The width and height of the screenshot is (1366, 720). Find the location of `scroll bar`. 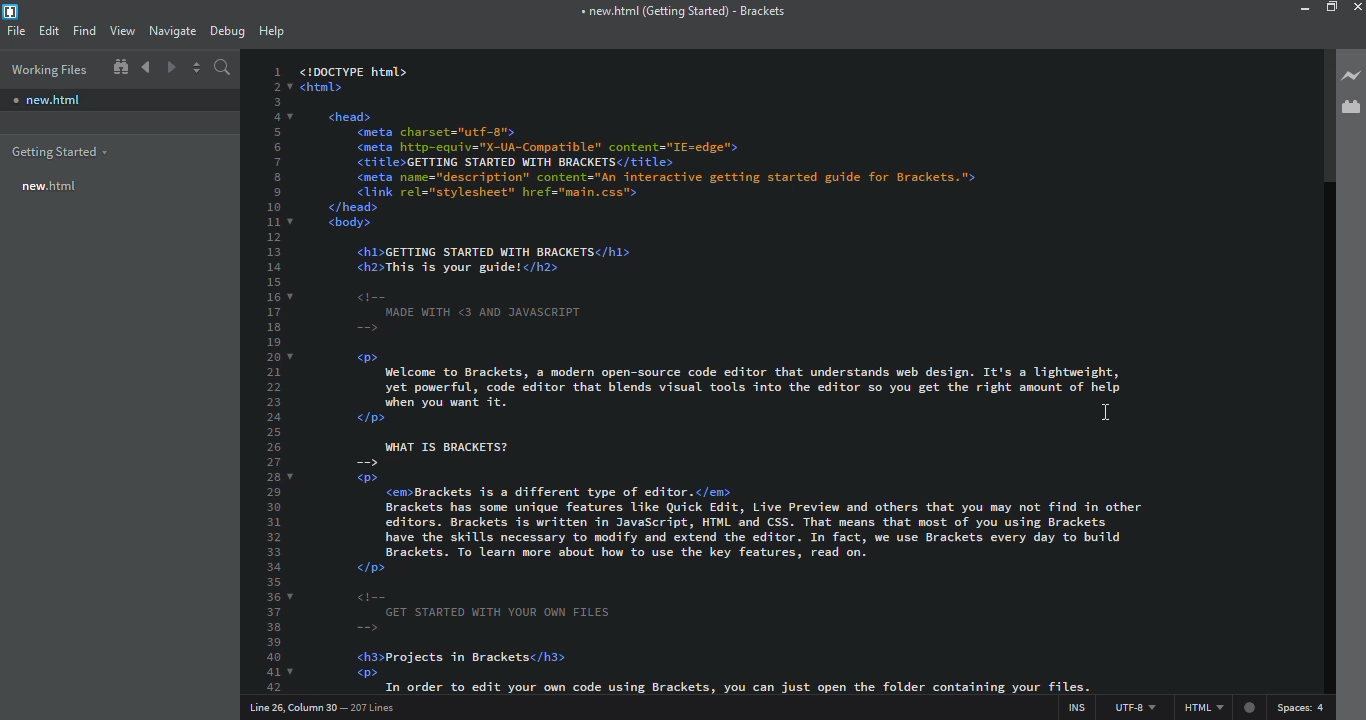

scroll bar is located at coordinates (1320, 116).